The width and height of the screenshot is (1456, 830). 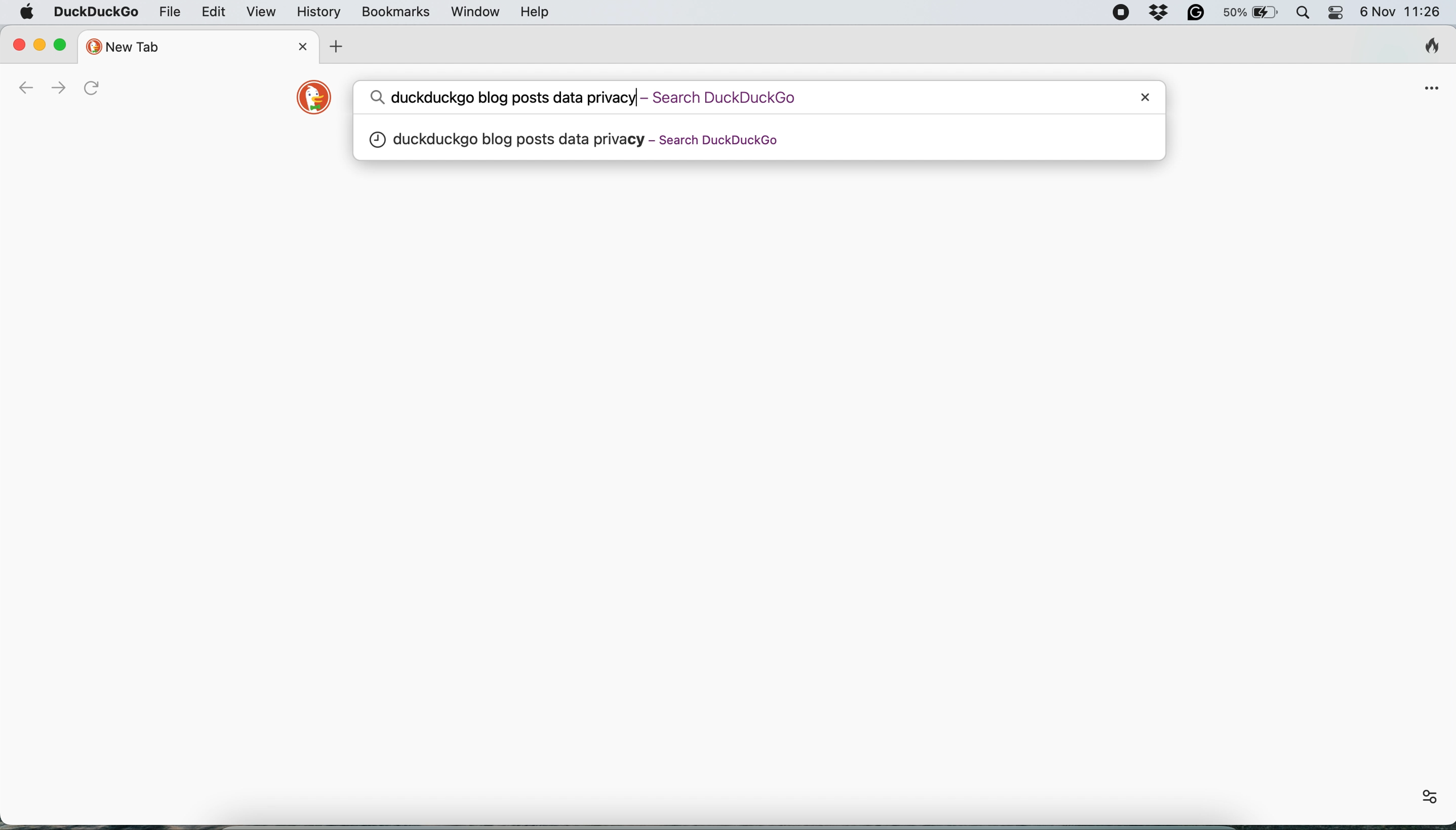 What do you see at coordinates (169, 13) in the screenshot?
I see `file` at bounding box center [169, 13].